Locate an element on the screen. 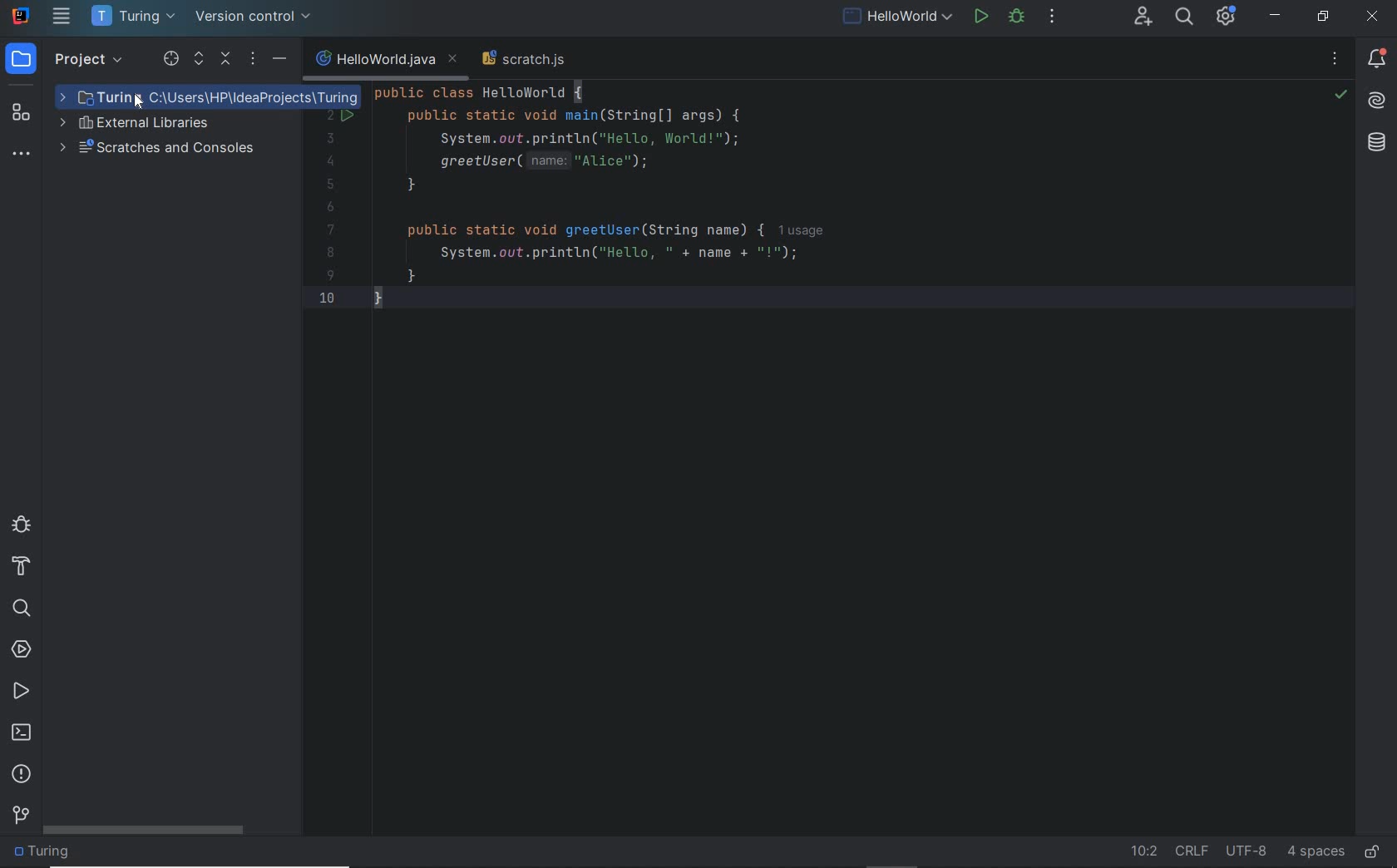  CLOSE is located at coordinates (1374, 17).